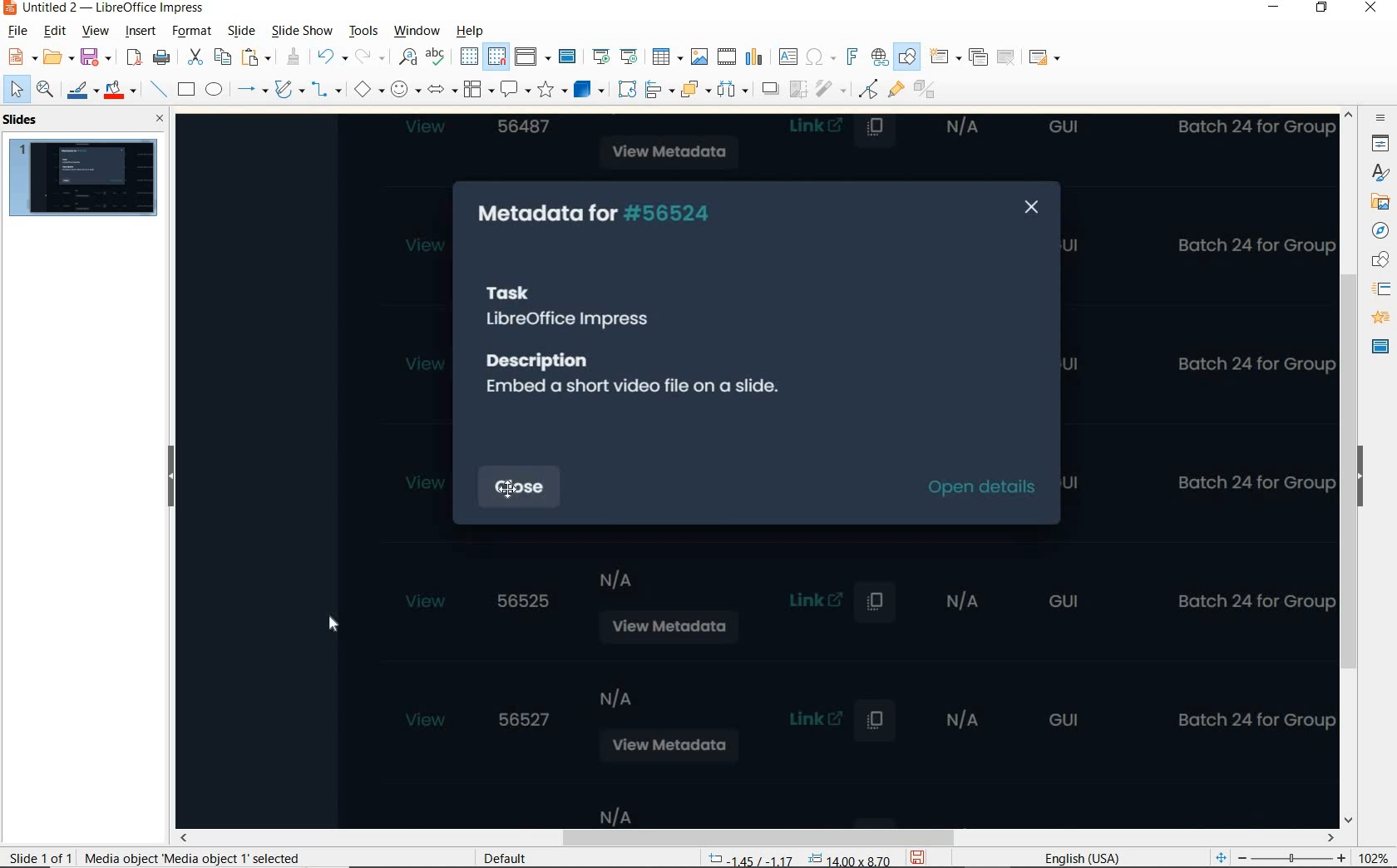  I want to click on RESTORE DOWN, so click(1324, 9).